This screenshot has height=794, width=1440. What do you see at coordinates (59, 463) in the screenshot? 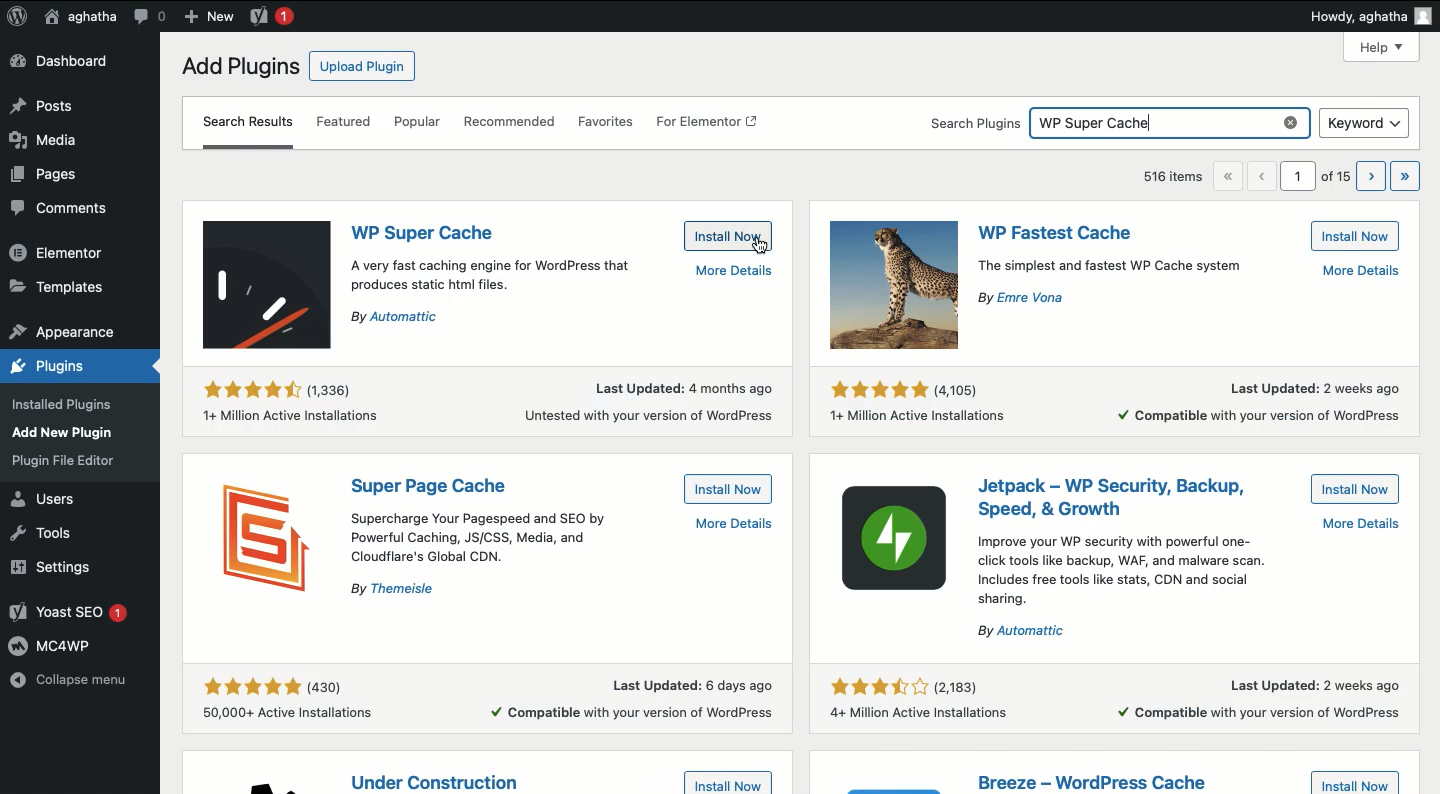
I see `Plugins` at bounding box center [59, 463].